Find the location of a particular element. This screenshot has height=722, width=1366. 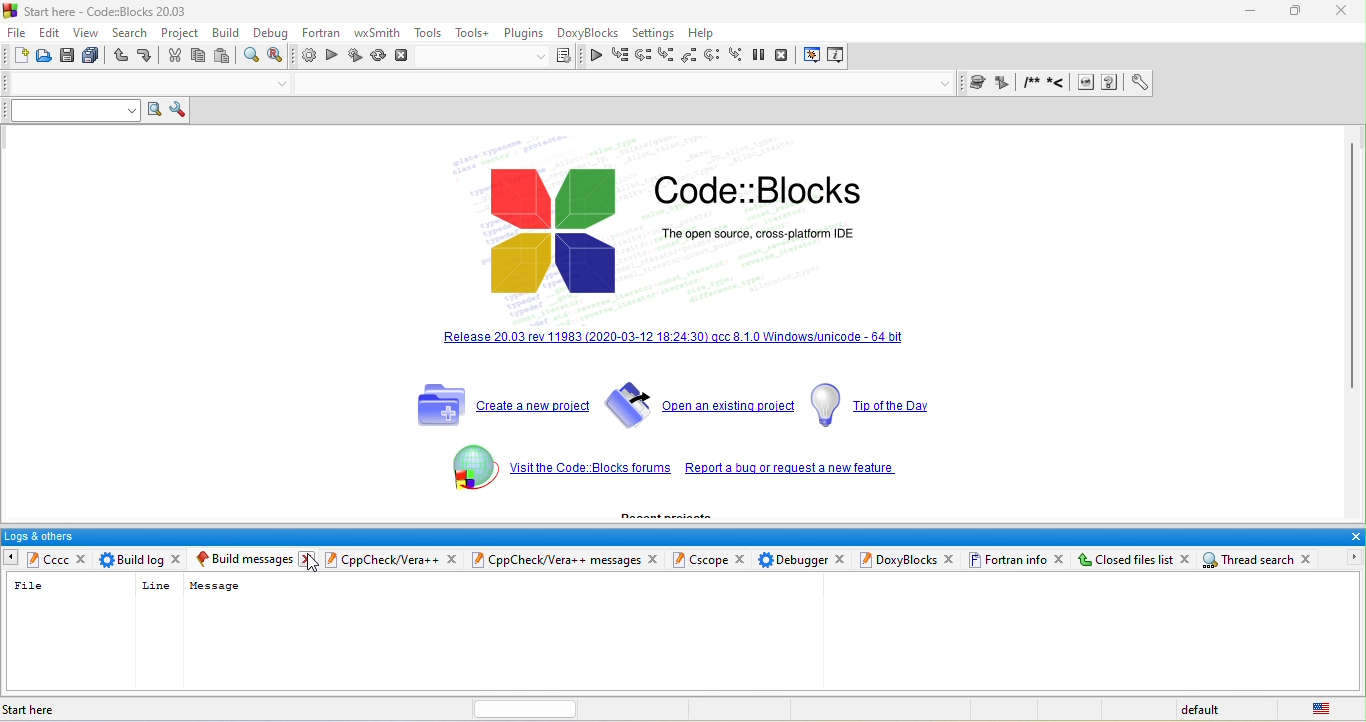

save everything is located at coordinates (92, 57).